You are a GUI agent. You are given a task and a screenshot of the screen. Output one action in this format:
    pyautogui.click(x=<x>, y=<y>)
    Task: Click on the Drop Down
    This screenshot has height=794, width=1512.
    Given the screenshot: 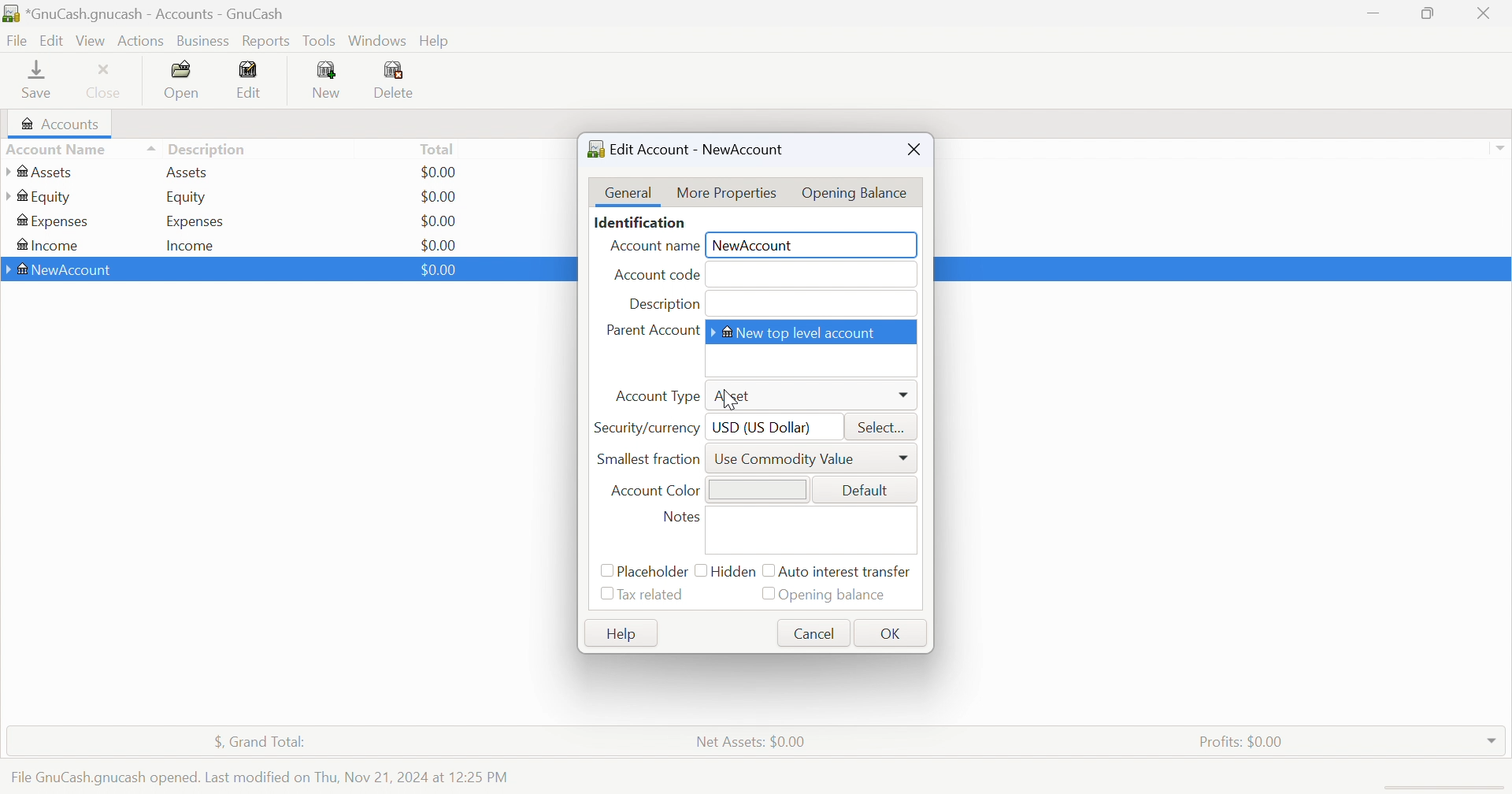 What is the action you would take?
    pyautogui.click(x=1499, y=148)
    